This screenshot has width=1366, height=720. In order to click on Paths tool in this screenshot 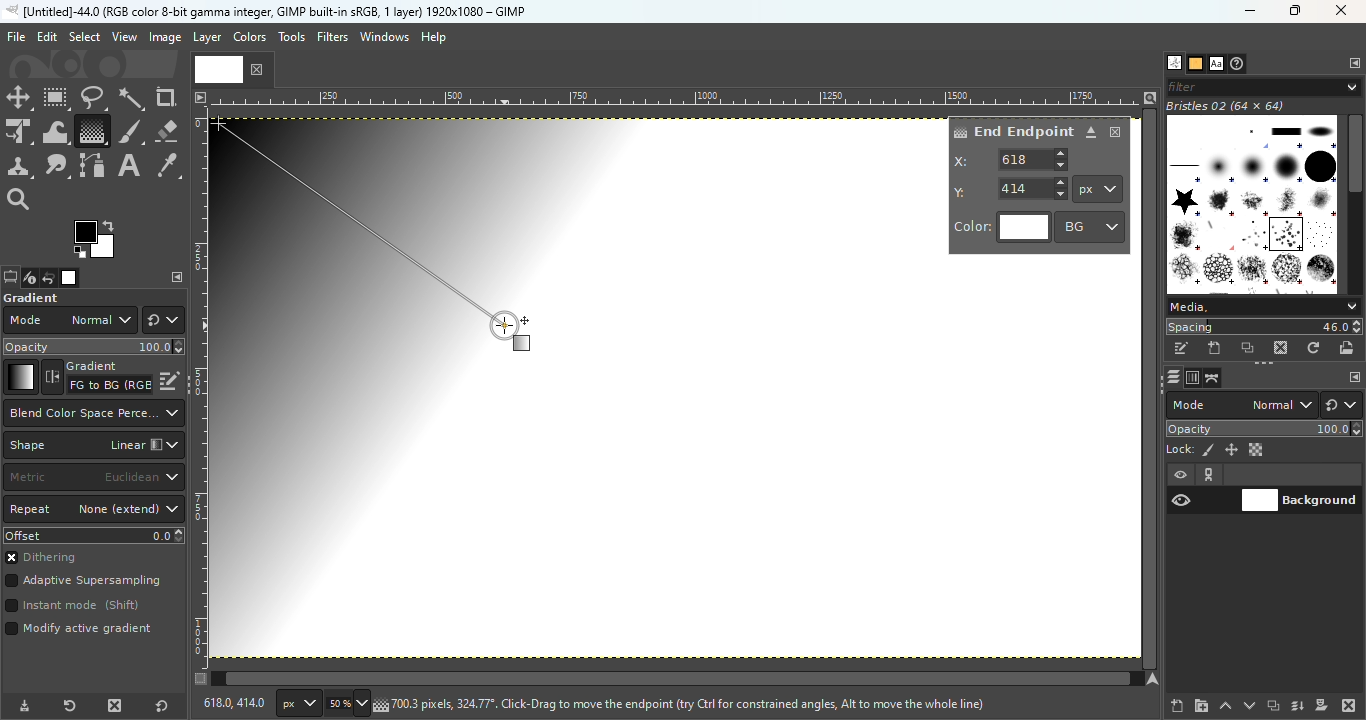, I will do `click(93, 166)`.